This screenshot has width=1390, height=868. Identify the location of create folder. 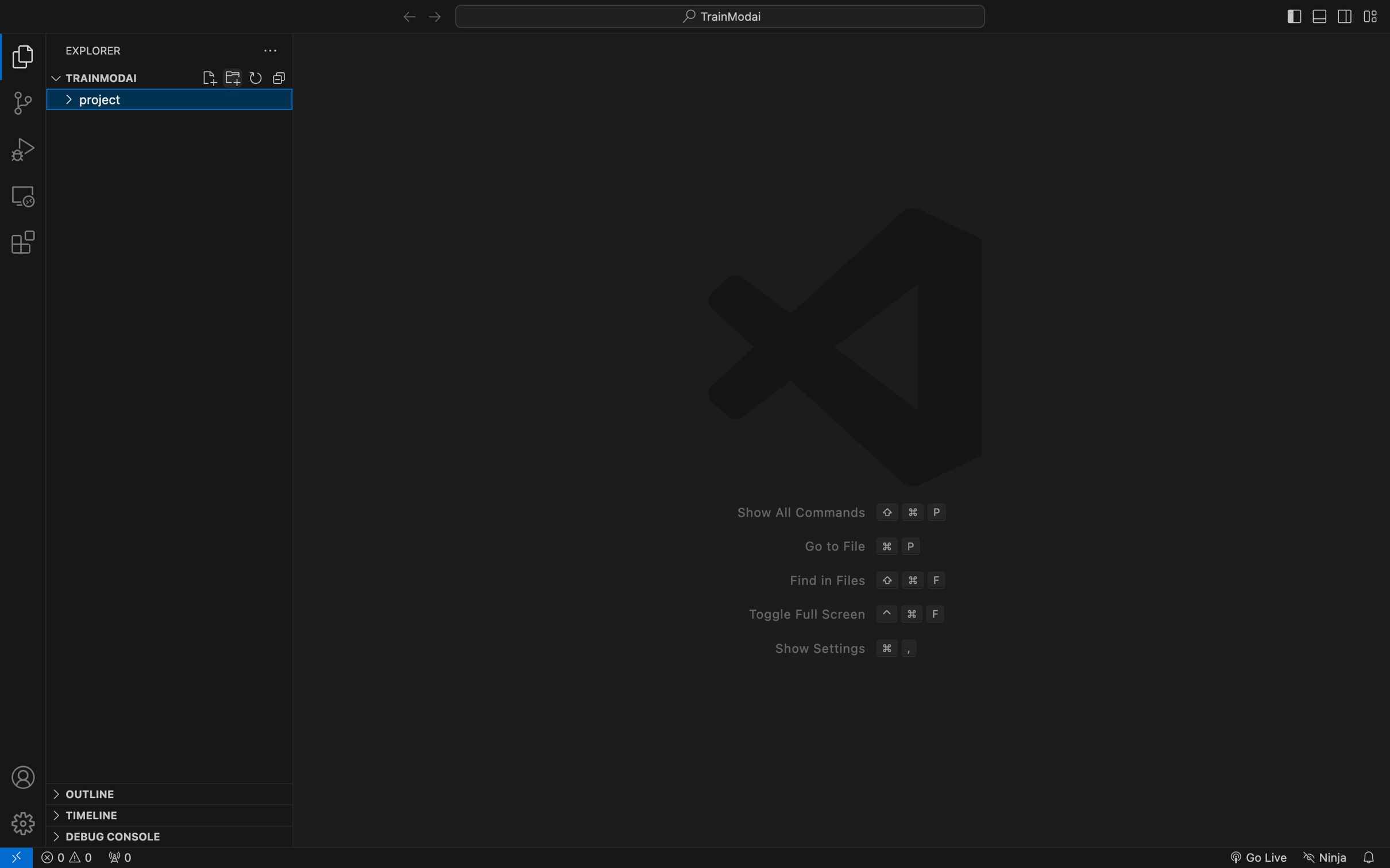
(234, 76).